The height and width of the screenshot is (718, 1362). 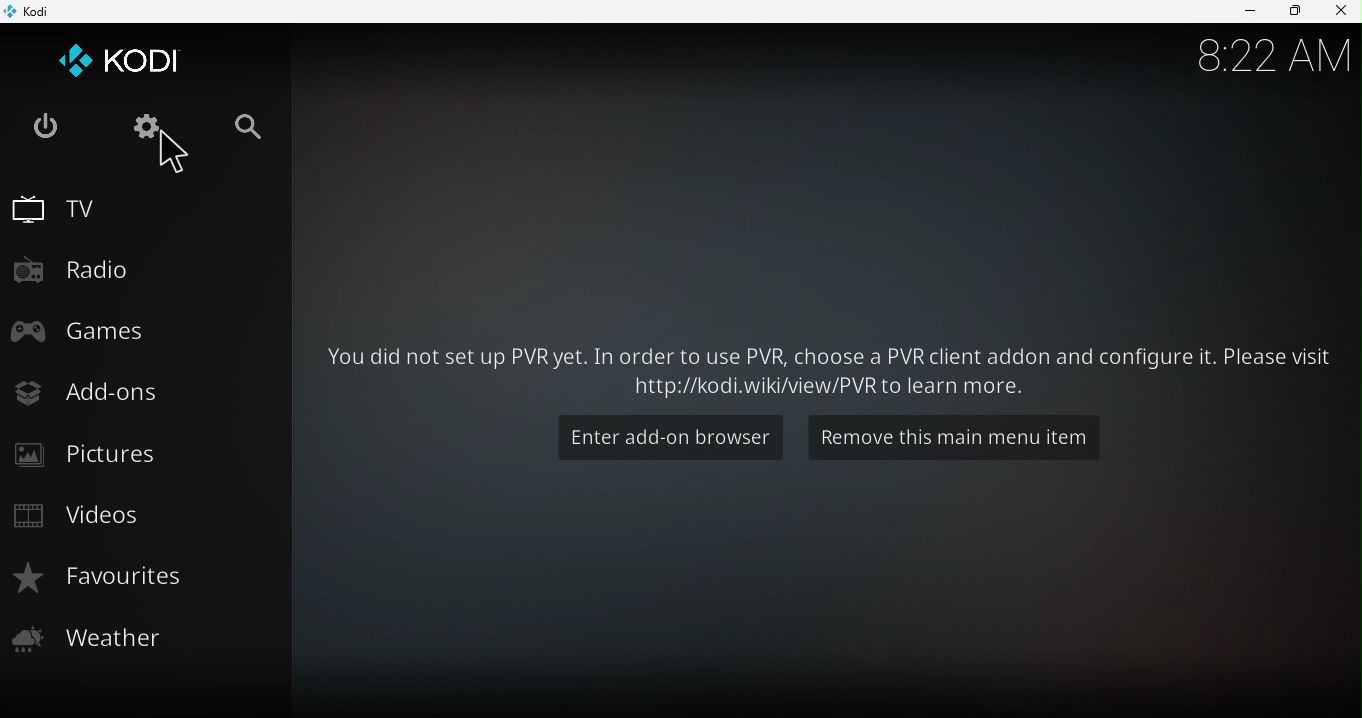 I want to click on Exit, so click(x=45, y=127).